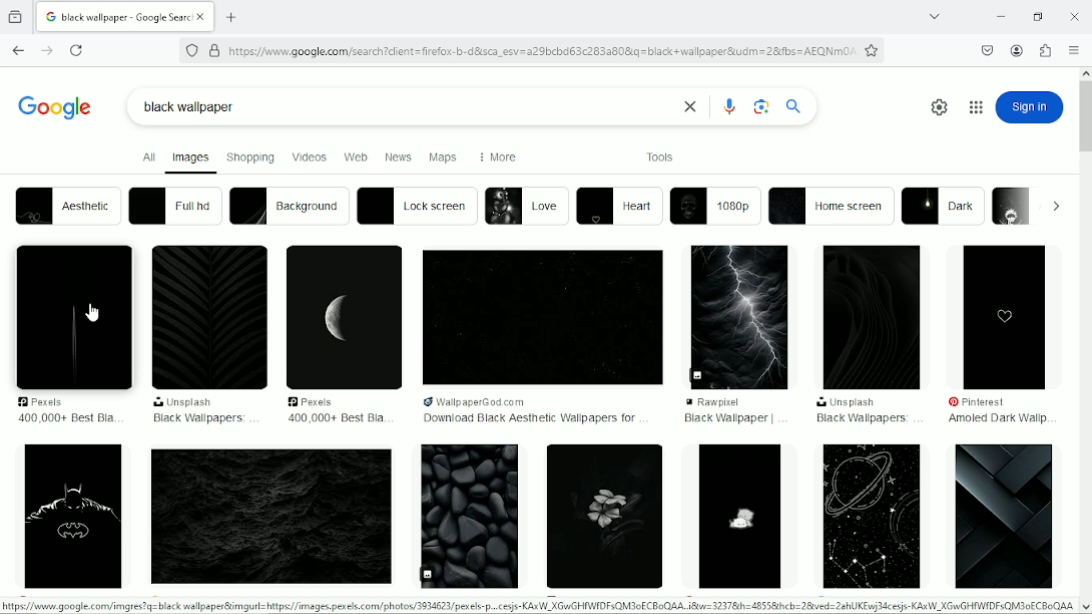 The image size is (1092, 614). Describe the element at coordinates (1056, 206) in the screenshot. I see `dropdown` at that location.